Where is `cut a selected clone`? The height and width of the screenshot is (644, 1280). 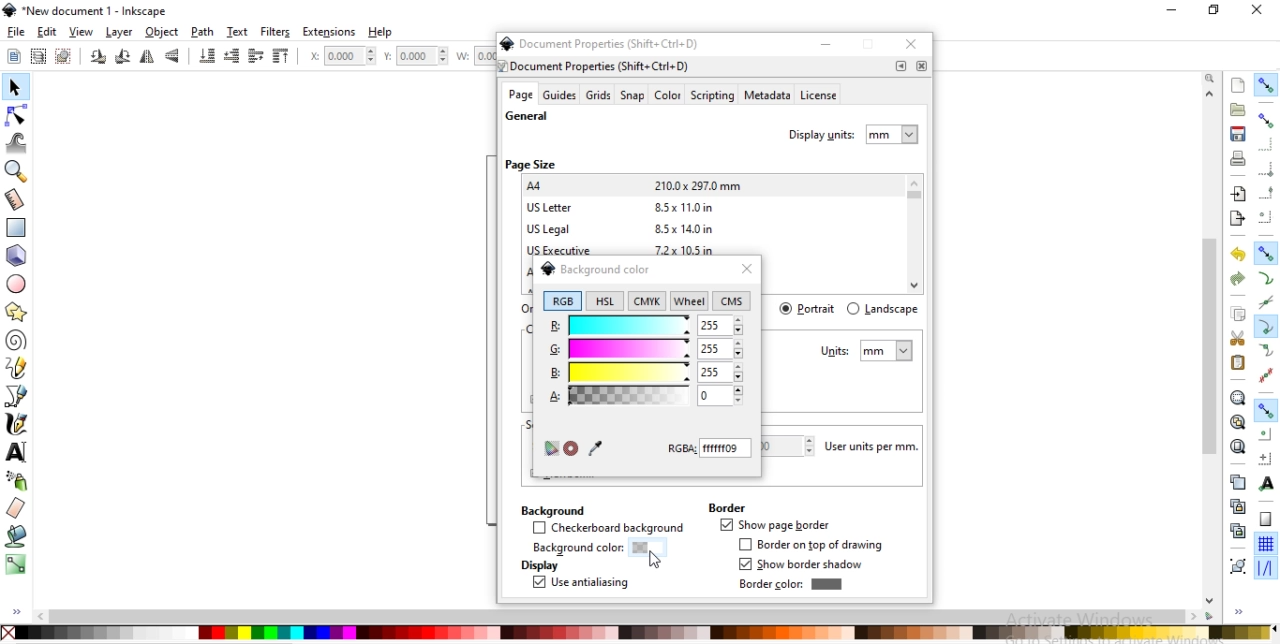
cut a selected clone is located at coordinates (1236, 533).